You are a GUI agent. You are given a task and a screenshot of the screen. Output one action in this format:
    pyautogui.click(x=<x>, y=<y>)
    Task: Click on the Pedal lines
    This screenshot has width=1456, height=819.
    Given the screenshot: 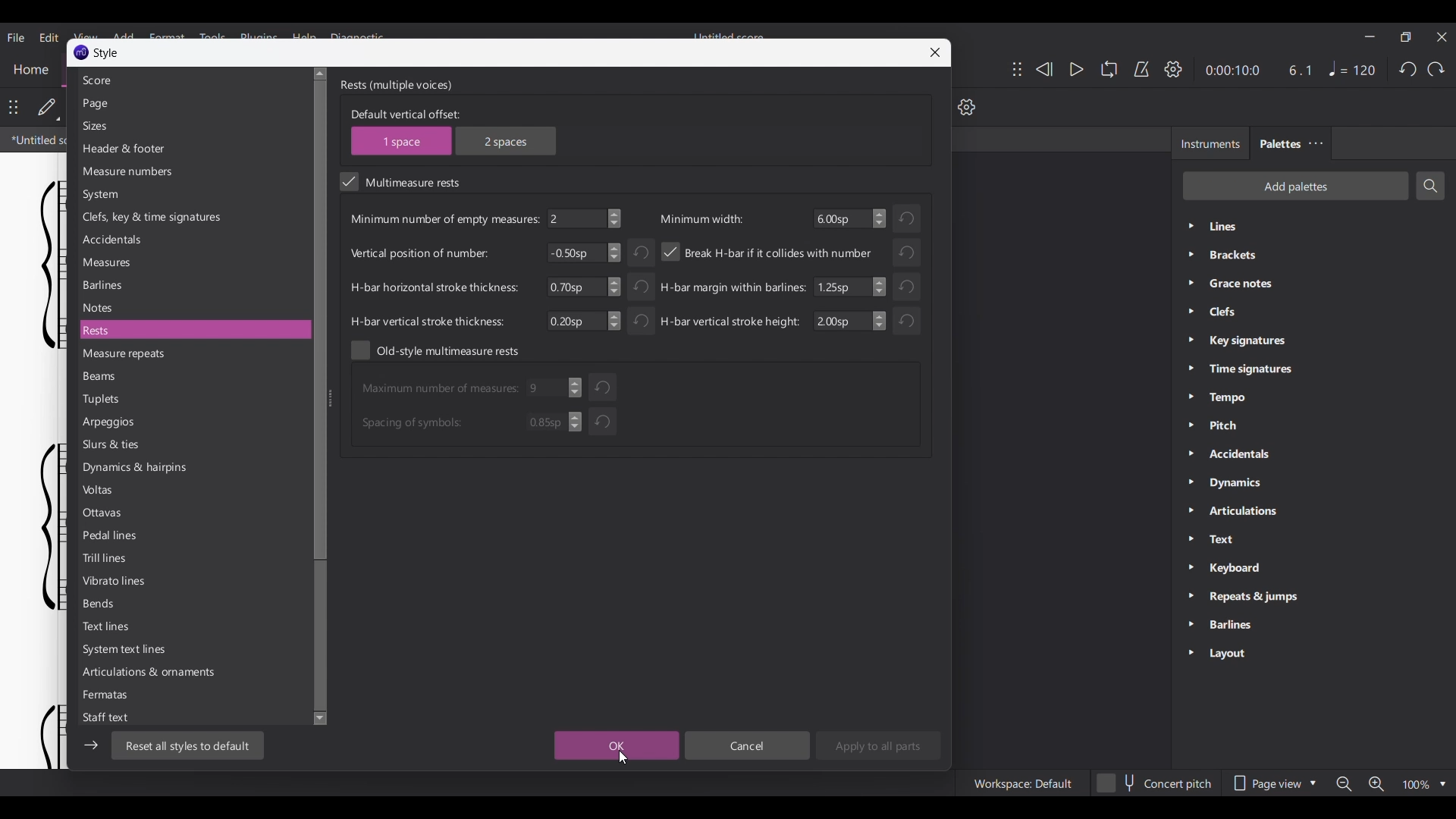 What is the action you would take?
    pyautogui.click(x=192, y=535)
    